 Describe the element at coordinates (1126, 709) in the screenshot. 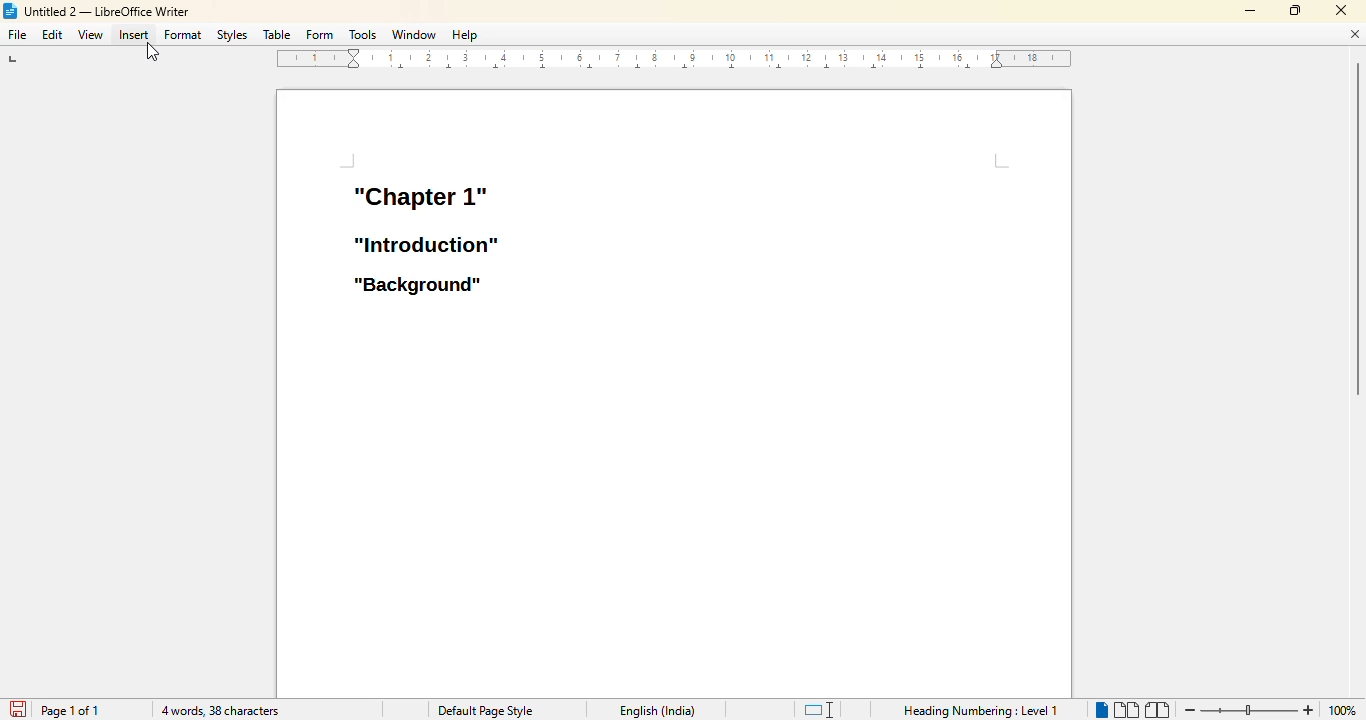

I see `multi-page view` at that location.